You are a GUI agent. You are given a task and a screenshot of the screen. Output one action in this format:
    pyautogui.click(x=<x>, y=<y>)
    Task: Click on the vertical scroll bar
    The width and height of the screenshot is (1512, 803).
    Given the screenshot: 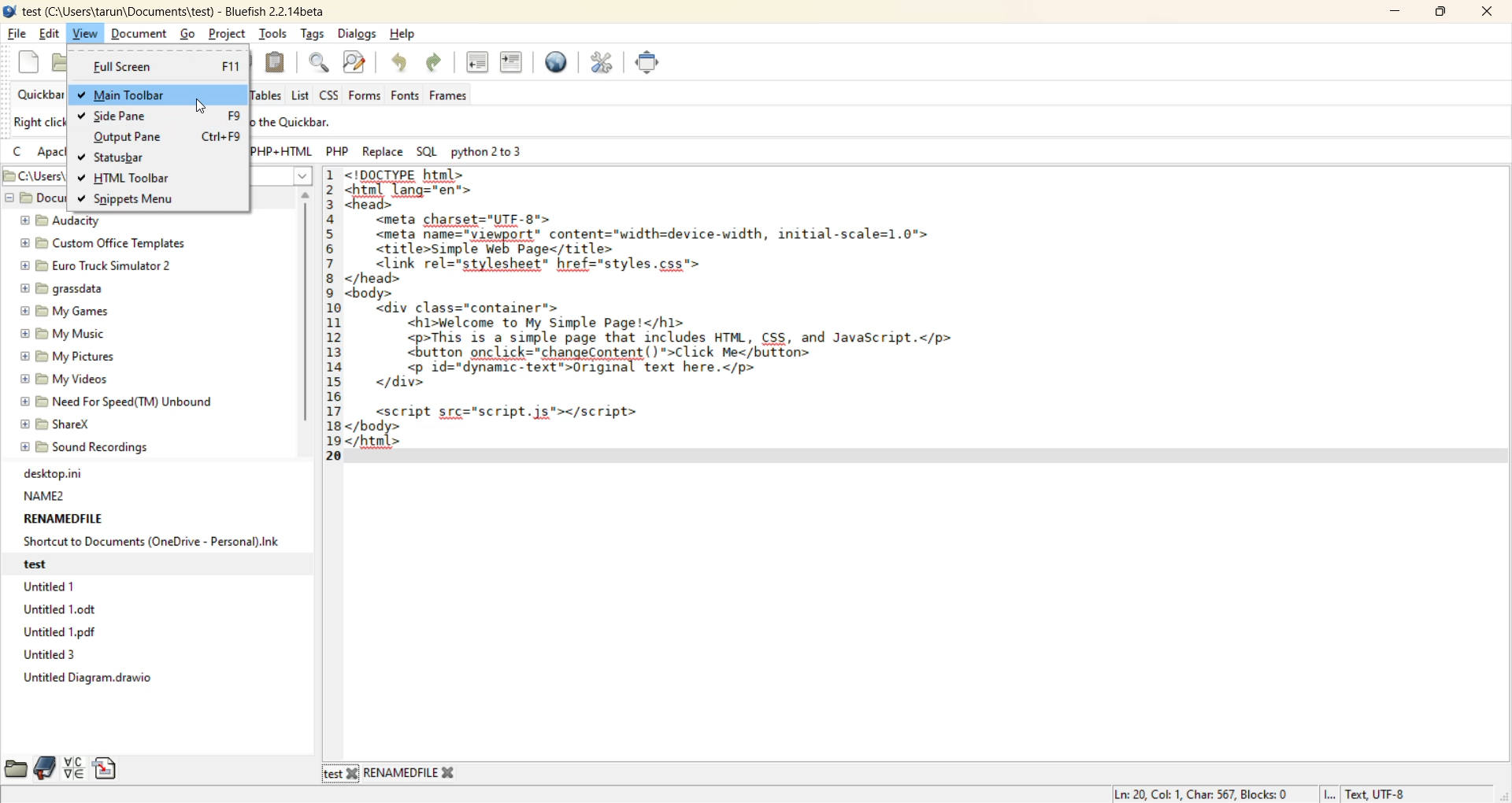 What is the action you would take?
    pyautogui.click(x=306, y=312)
    